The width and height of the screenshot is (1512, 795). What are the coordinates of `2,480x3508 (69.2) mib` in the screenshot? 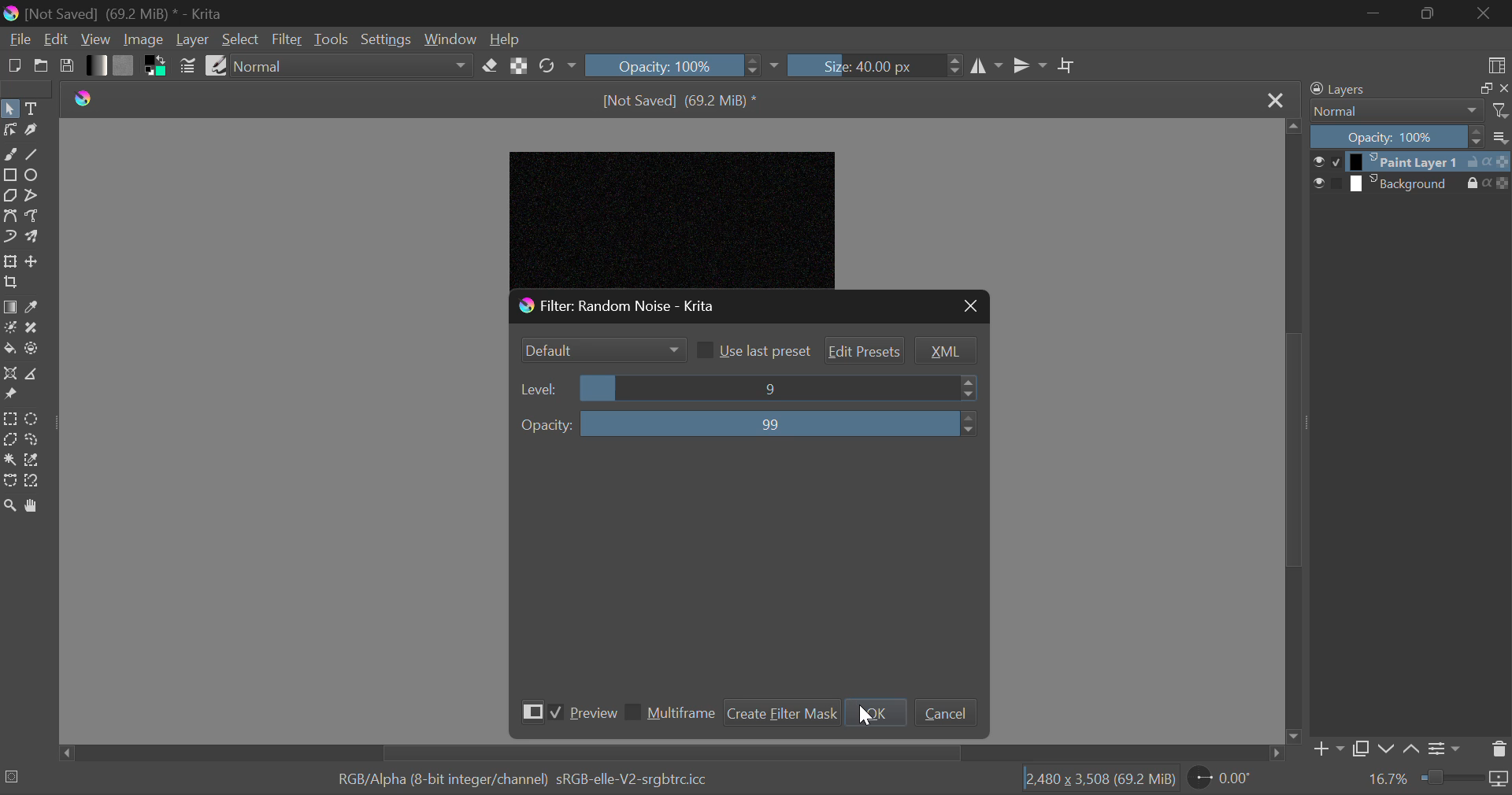 It's located at (1095, 782).